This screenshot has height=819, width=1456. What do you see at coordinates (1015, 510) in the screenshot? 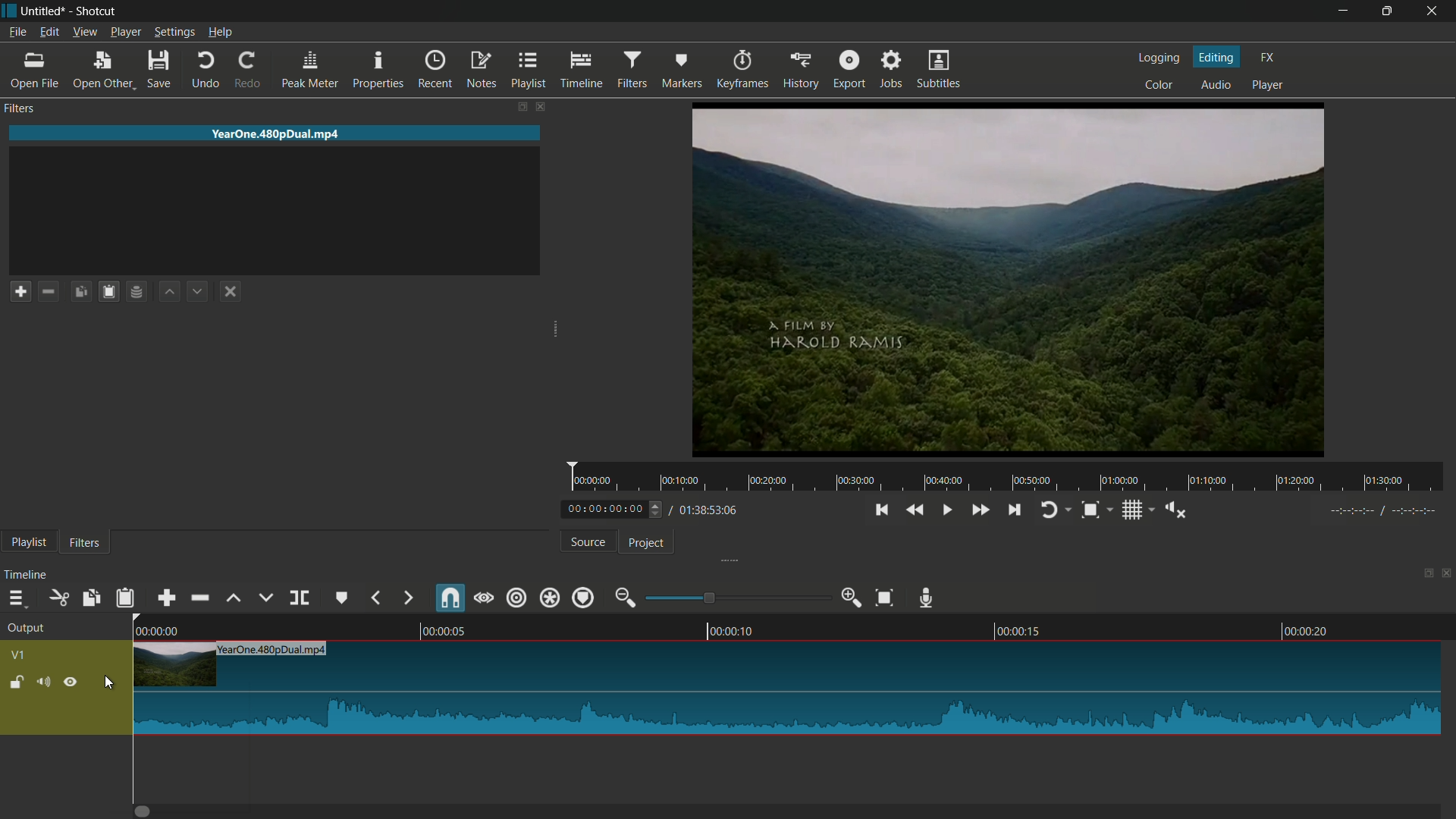
I see `skip to the next point` at bounding box center [1015, 510].